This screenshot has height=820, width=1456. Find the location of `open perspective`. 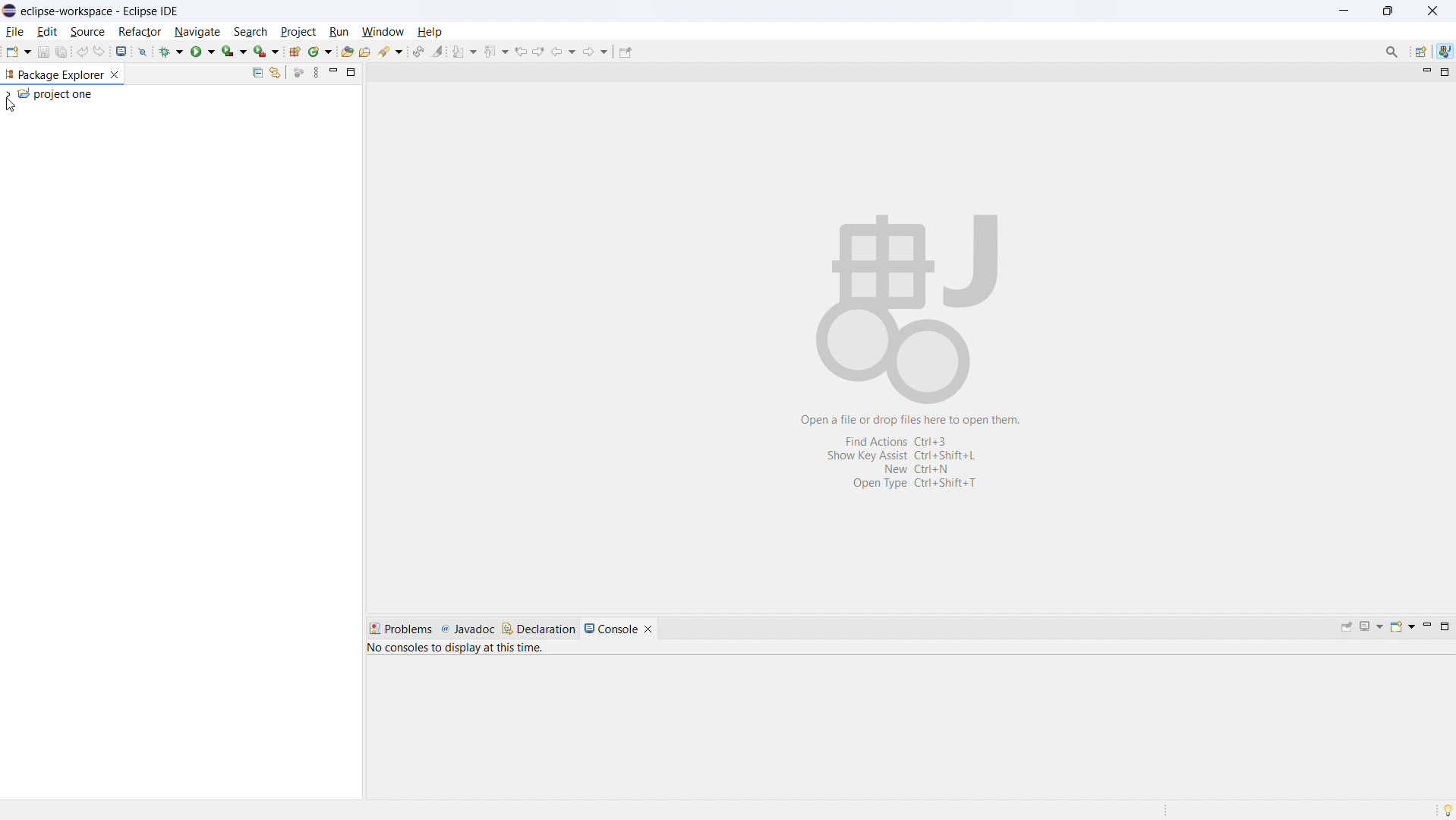

open perspective is located at coordinates (1420, 52).